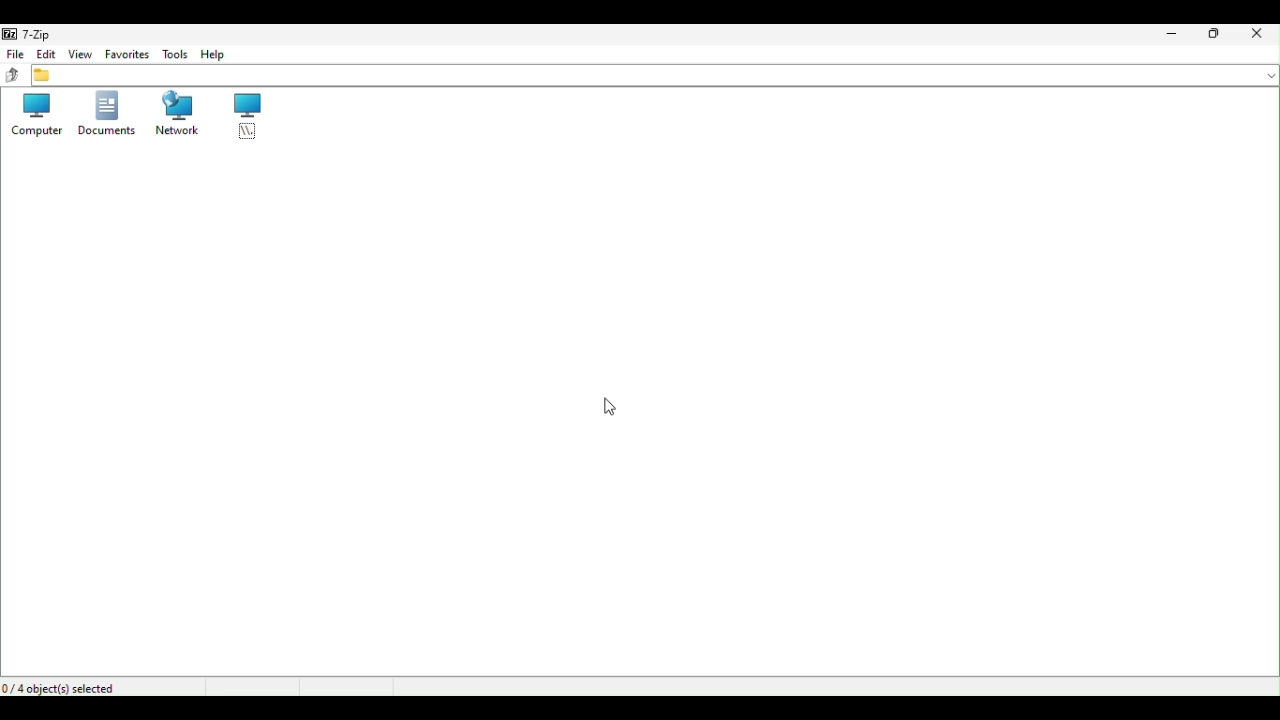  What do you see at coordinates (1260, 37) in the screenshot?
I see `Close` at bounding box center [1260, 37].